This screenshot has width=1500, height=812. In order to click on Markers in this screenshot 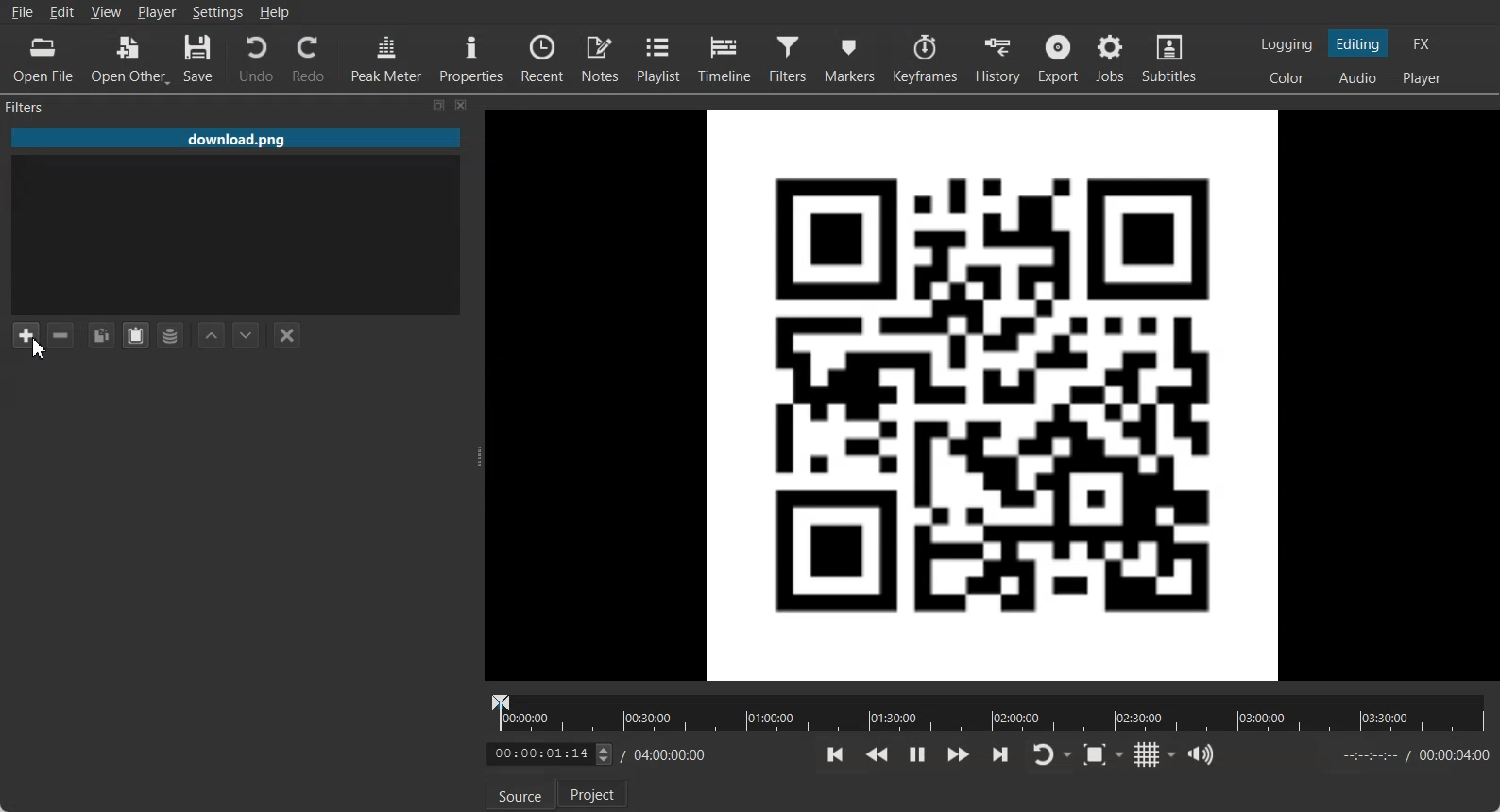, I will do `click(851, 58)`.